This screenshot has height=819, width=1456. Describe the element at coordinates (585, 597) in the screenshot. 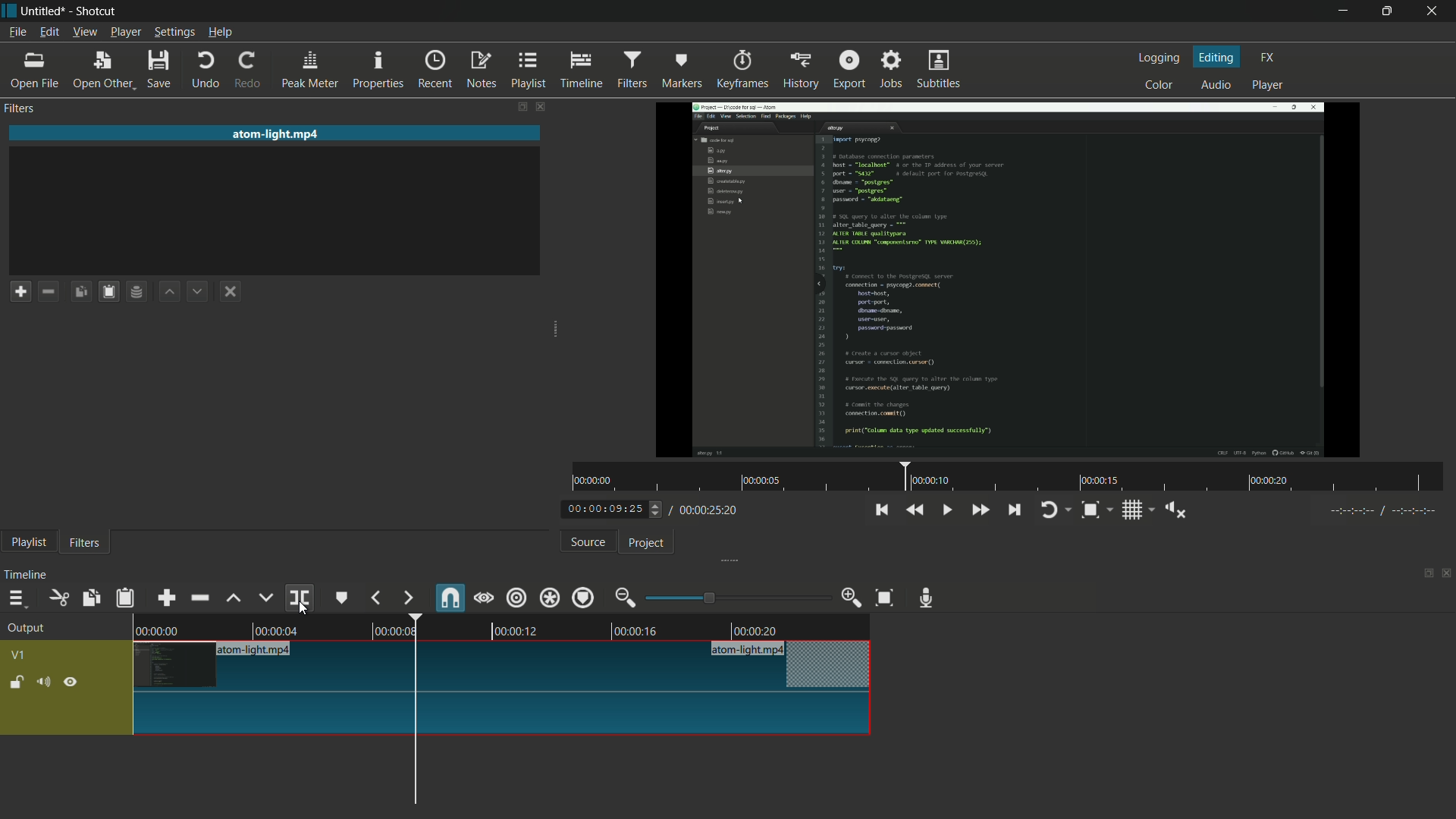

I see `ripple markers` at that location.